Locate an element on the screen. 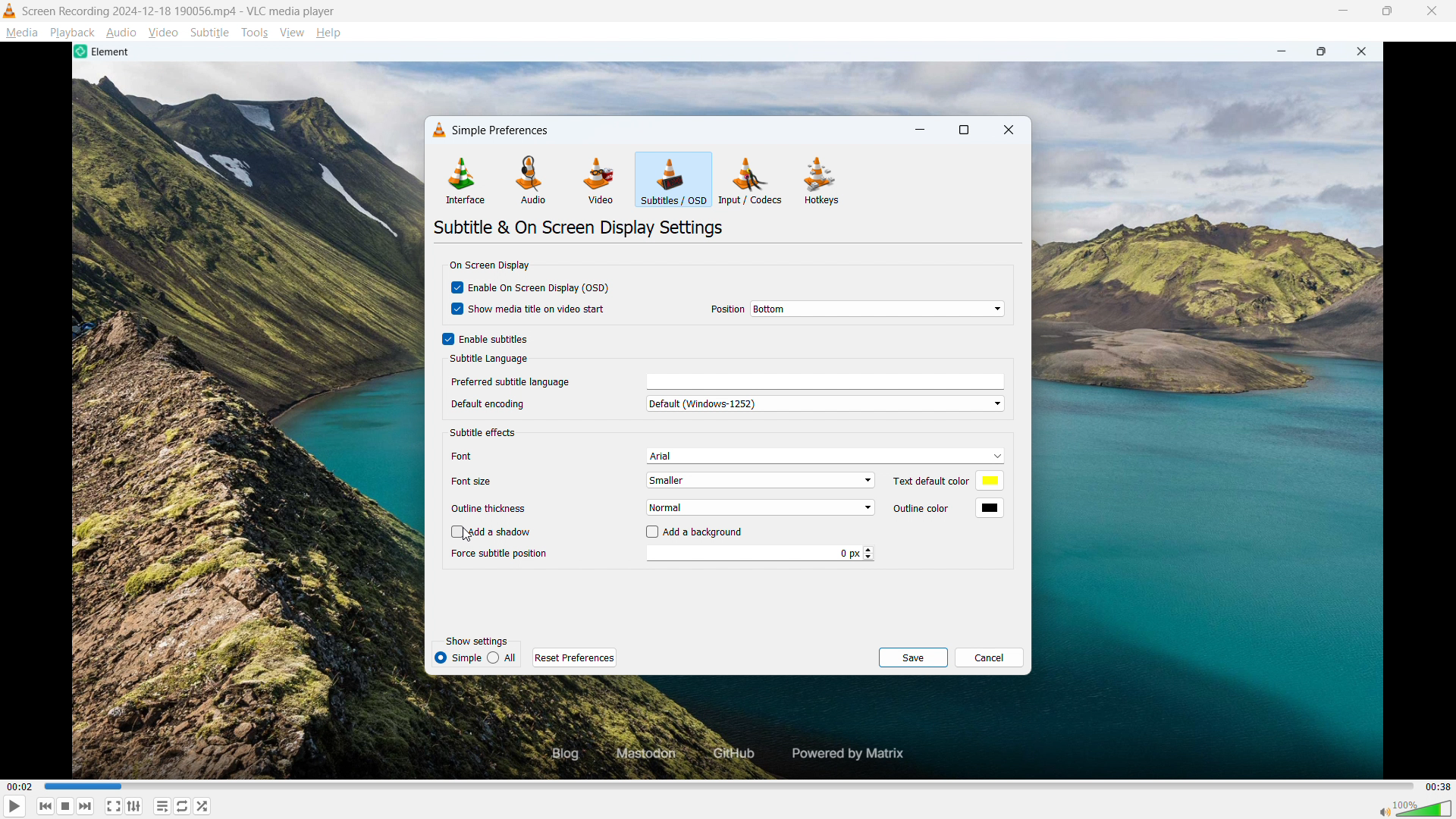 The height and width of the screenshot is (819, 1456). Audio  is located at coordinates (121, 33).